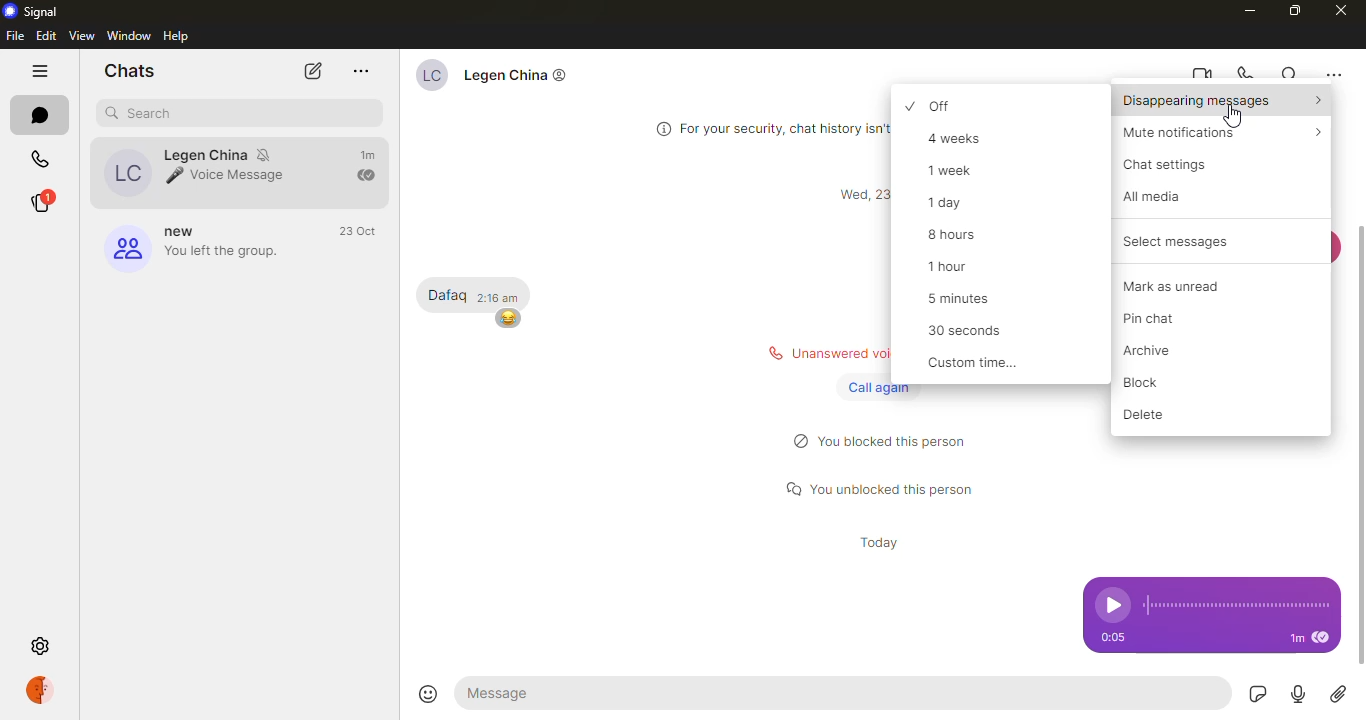 The width and height of the screenshot is (1366, 720). I want to click on view, so click(81, 36).